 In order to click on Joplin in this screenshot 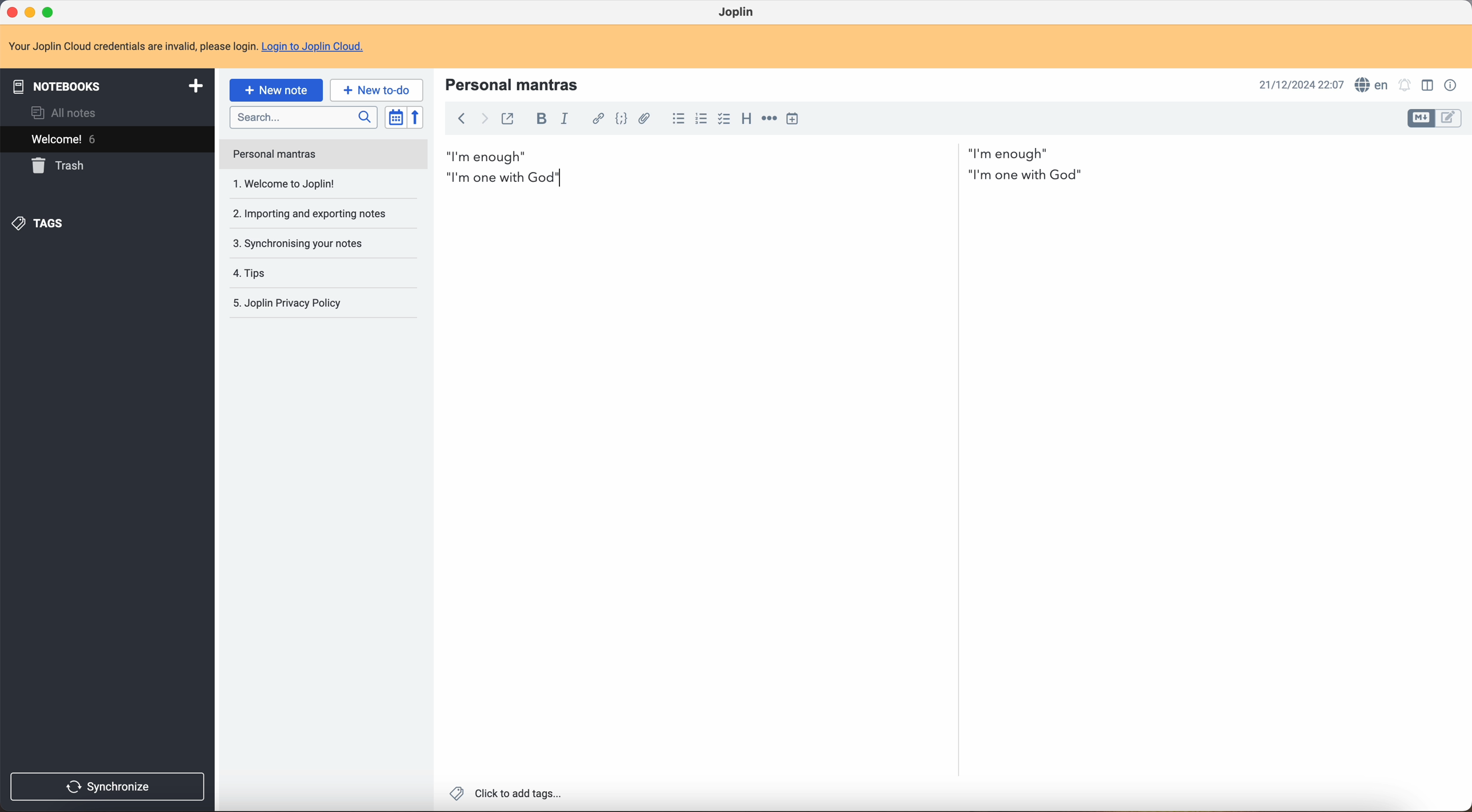, I will do `click(738, 11)`.